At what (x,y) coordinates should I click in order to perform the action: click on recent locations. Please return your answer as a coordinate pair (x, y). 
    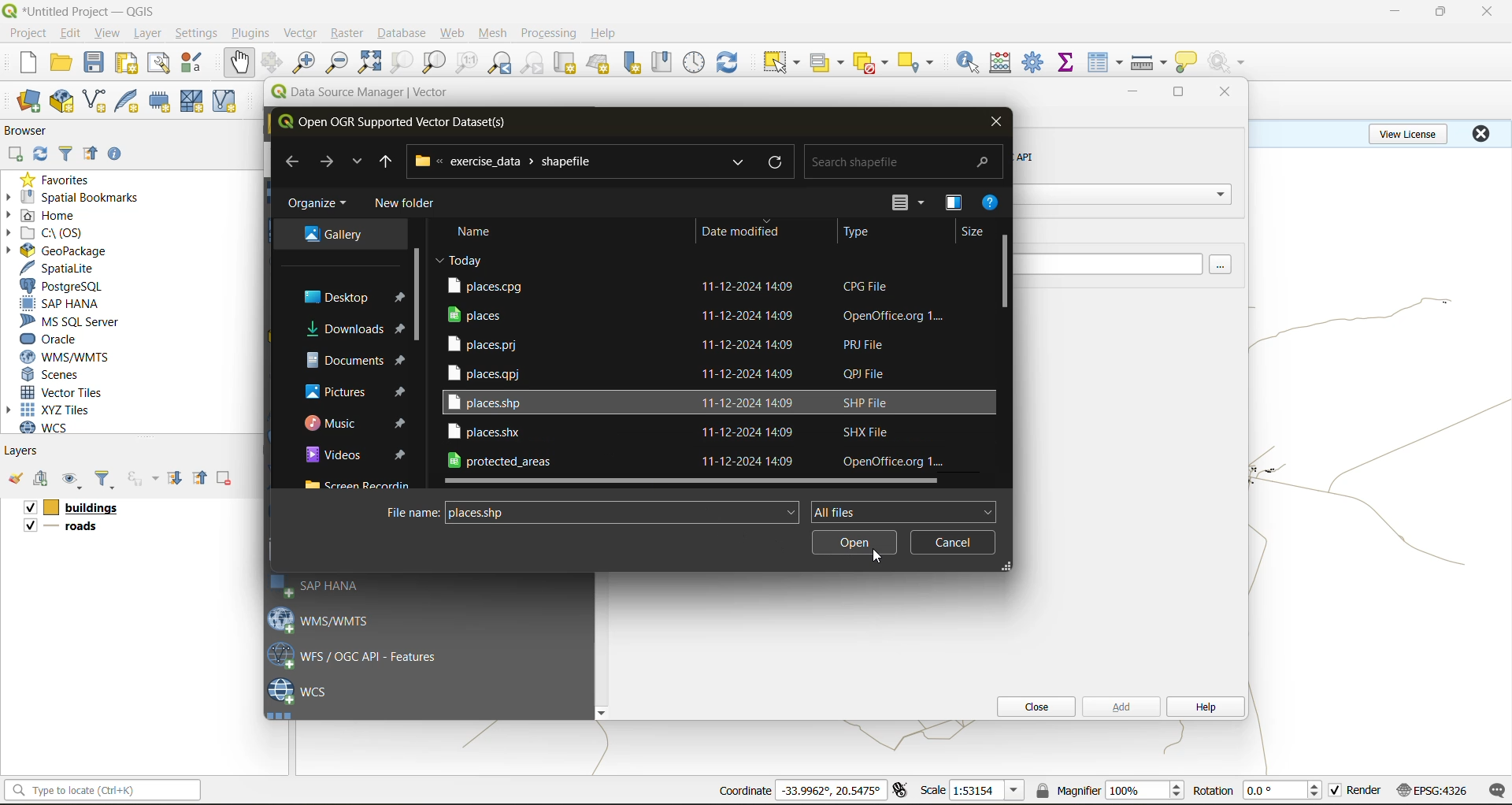
    Looking at the image, I should click on (355, 164).